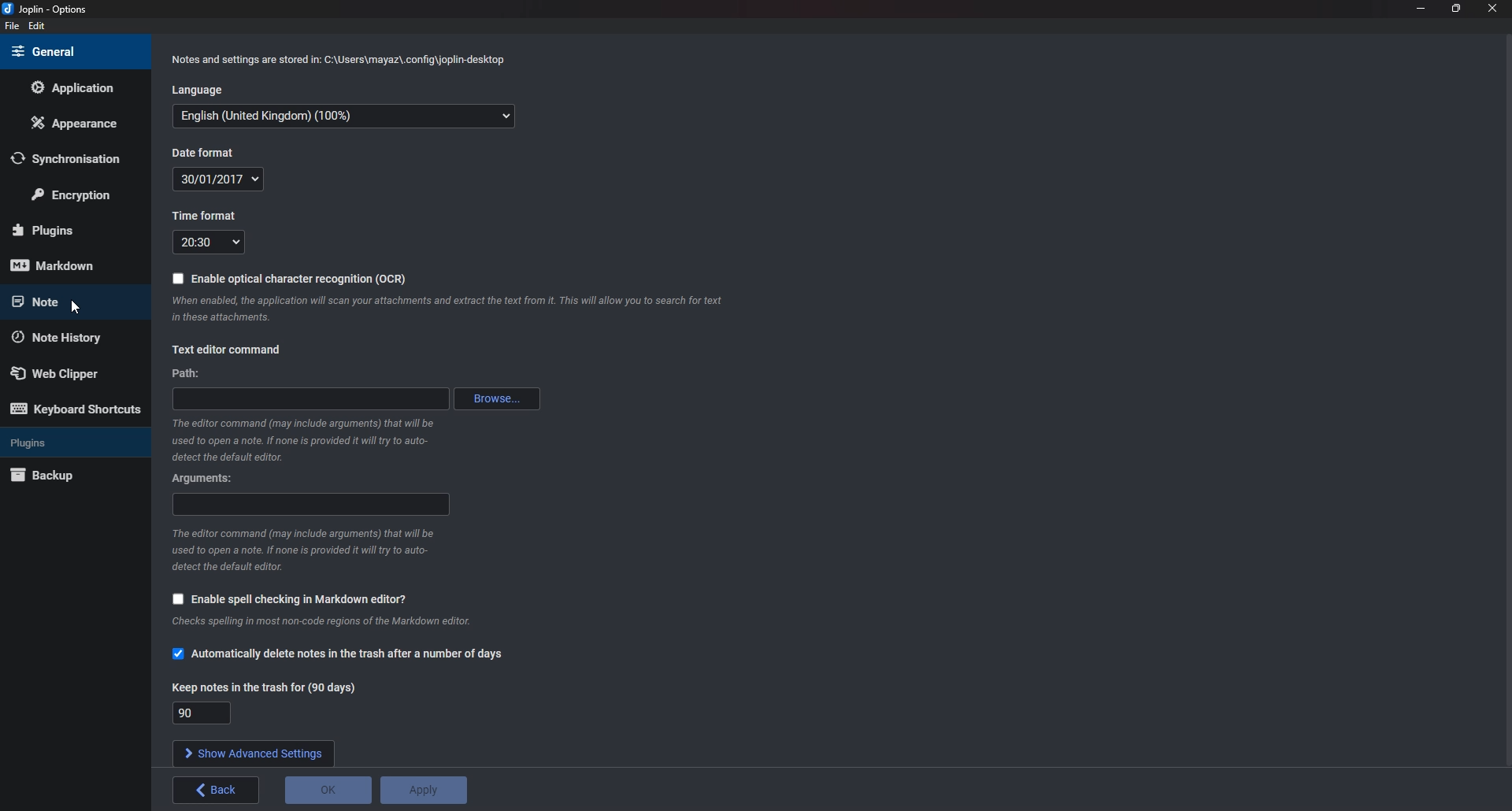 Image resolution: width=1512 pixels, height=811 pixels. Describe the element at coordinates (265, 687) in the screenshot. I see `Keep notes in the trash for` at that location.